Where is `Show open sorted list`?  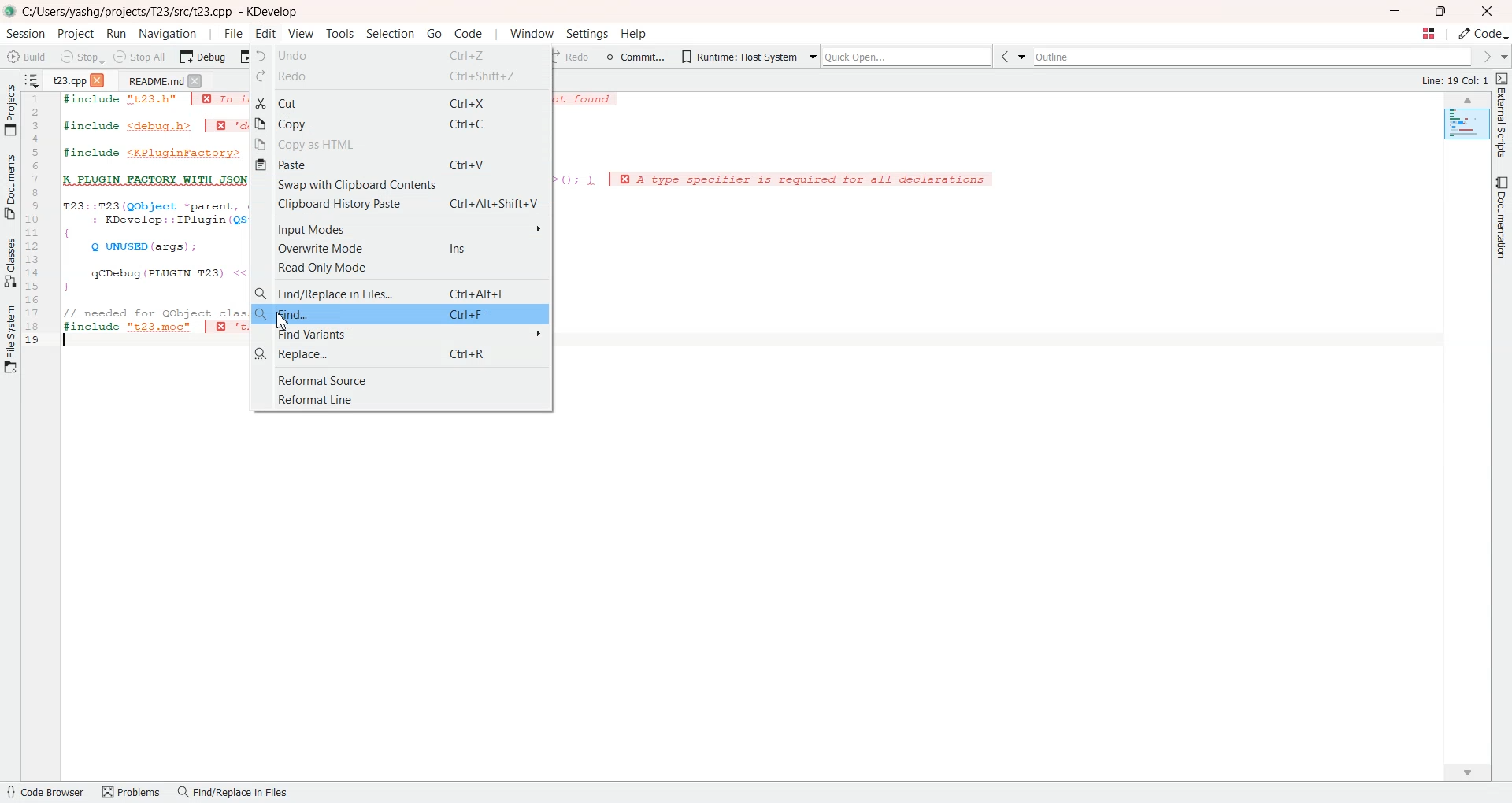 Show open sorted list is located at coordinates (32, 79).